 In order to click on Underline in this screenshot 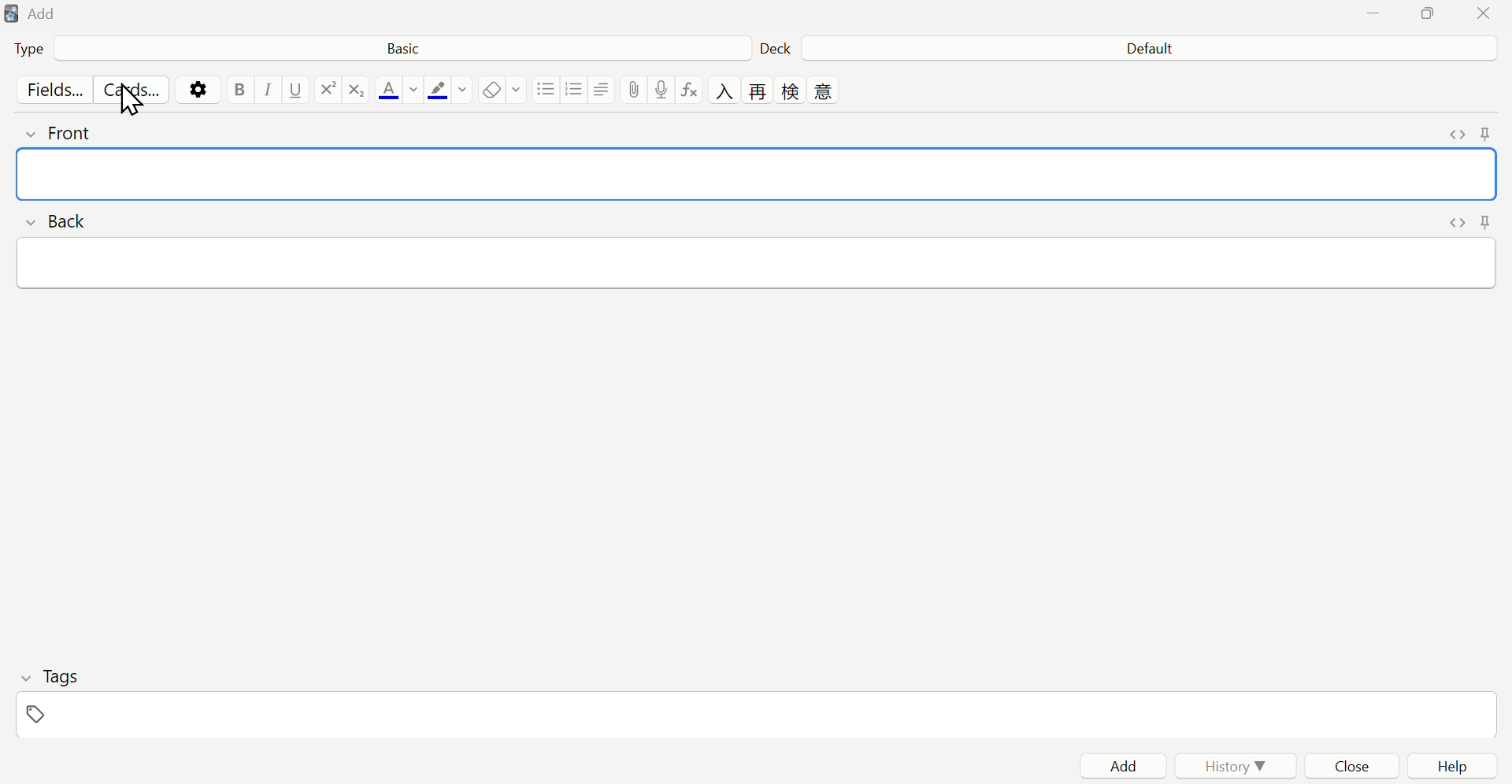, I will do `click(299, 90)`.